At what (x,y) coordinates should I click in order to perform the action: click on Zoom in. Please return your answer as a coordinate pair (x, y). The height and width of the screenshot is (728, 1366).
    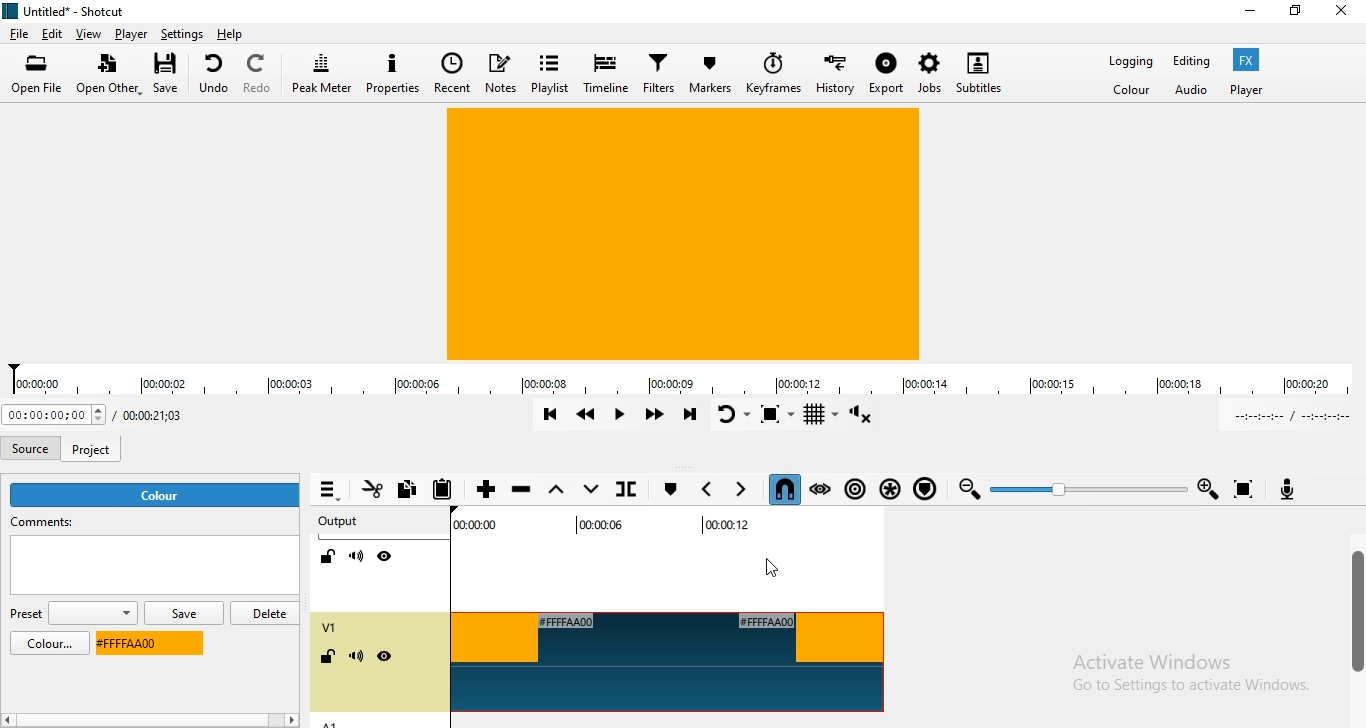
    Looking at the image, I should click on (1208, 490).